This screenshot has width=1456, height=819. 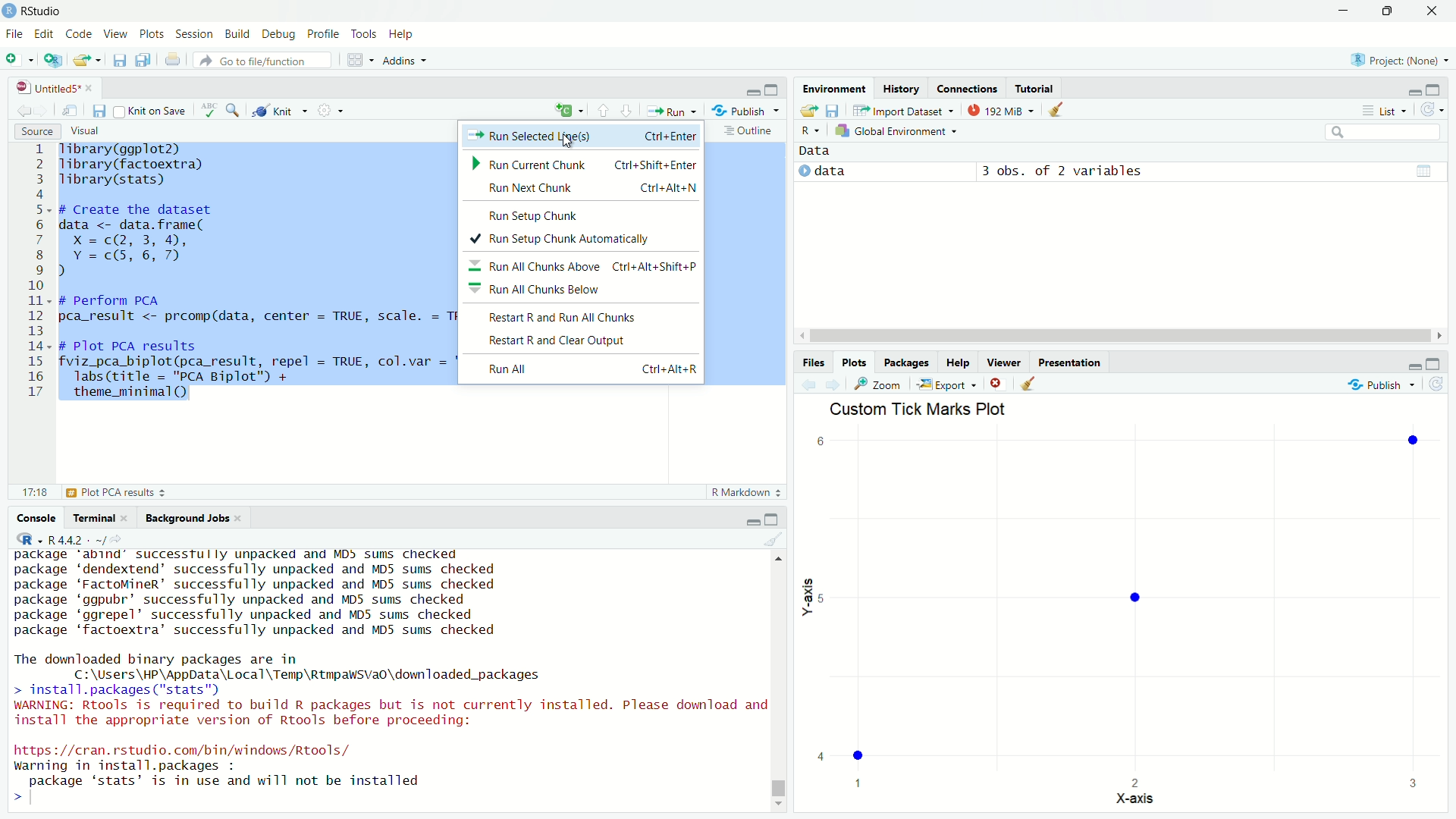 I want to click on restart and run all chunks, so click(x=583, y=316).